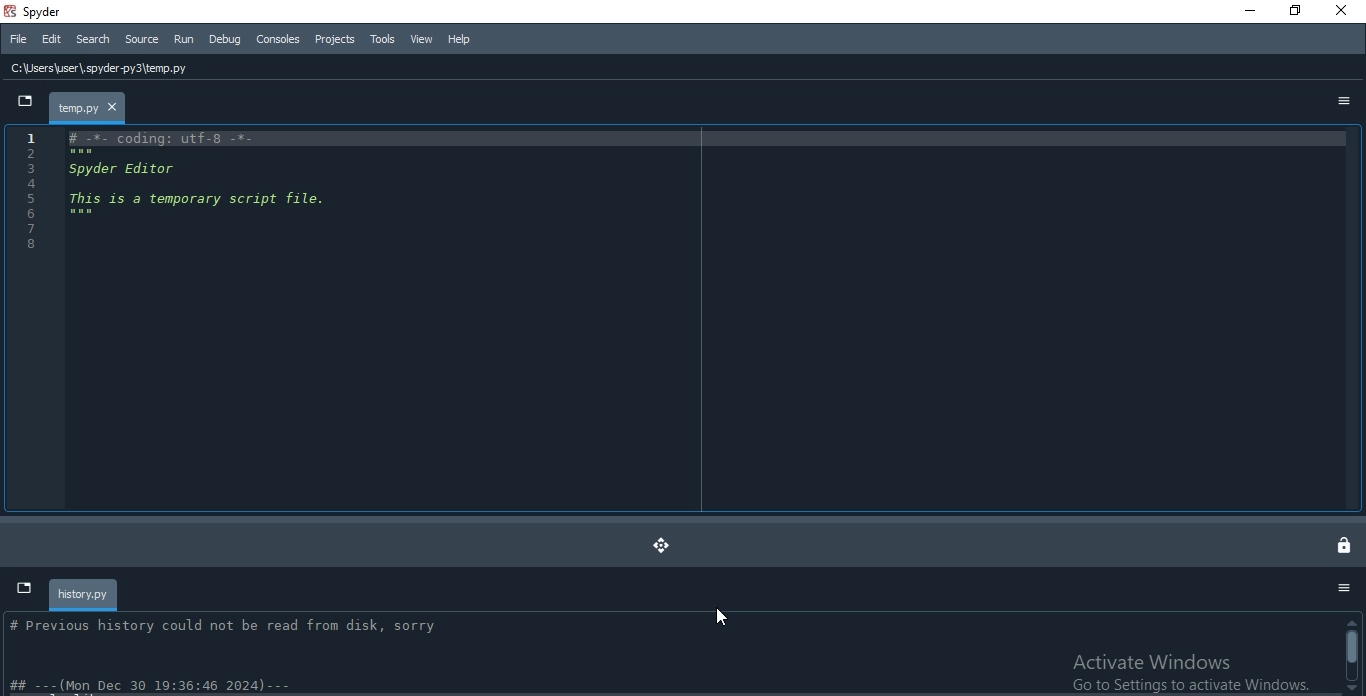  Describe the element at coordinates (225, 39) in the screenshot. I see `Debug` at that location.